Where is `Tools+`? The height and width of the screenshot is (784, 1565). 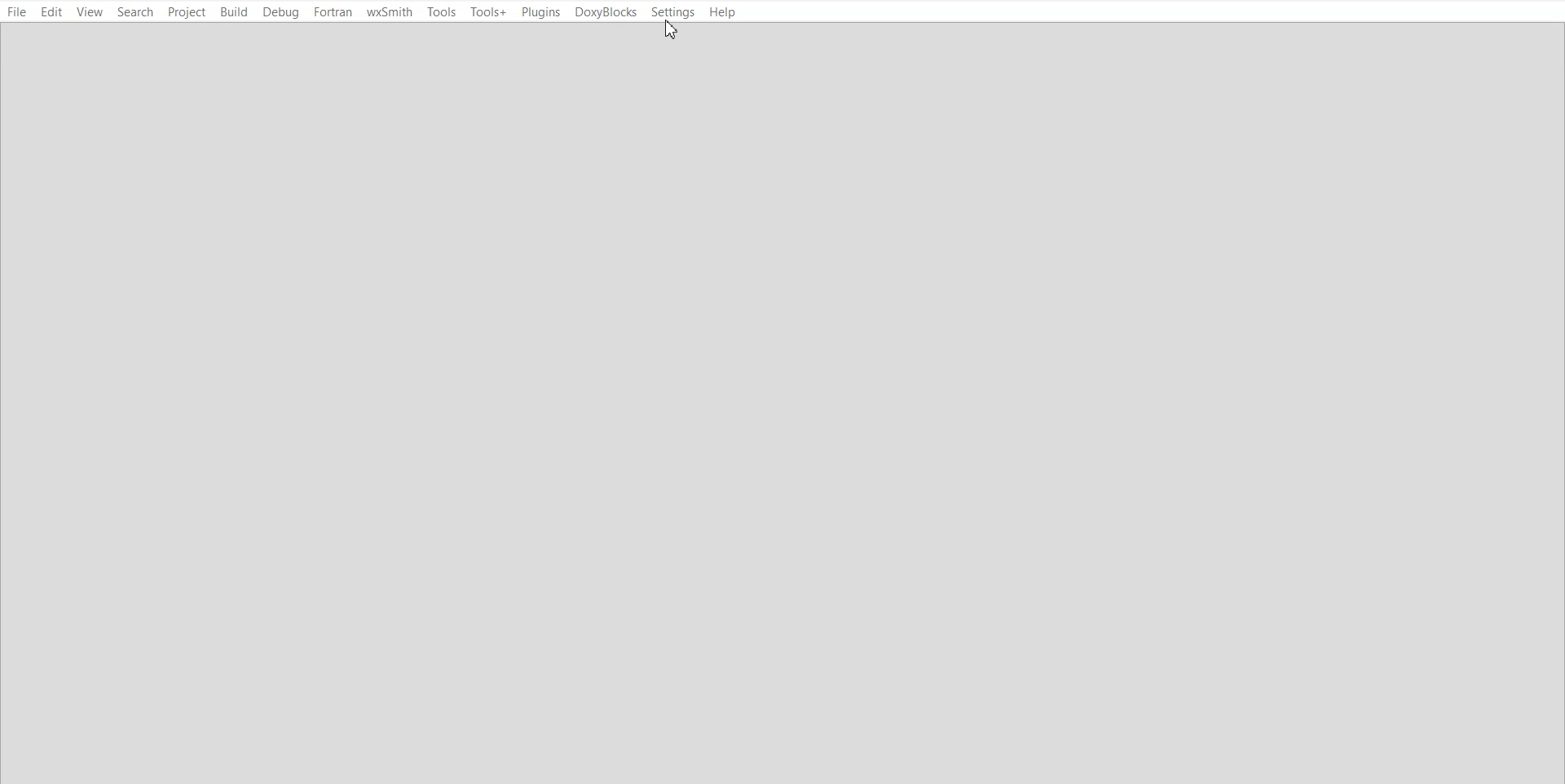 Tools+ is located at coordinates (487, 12).